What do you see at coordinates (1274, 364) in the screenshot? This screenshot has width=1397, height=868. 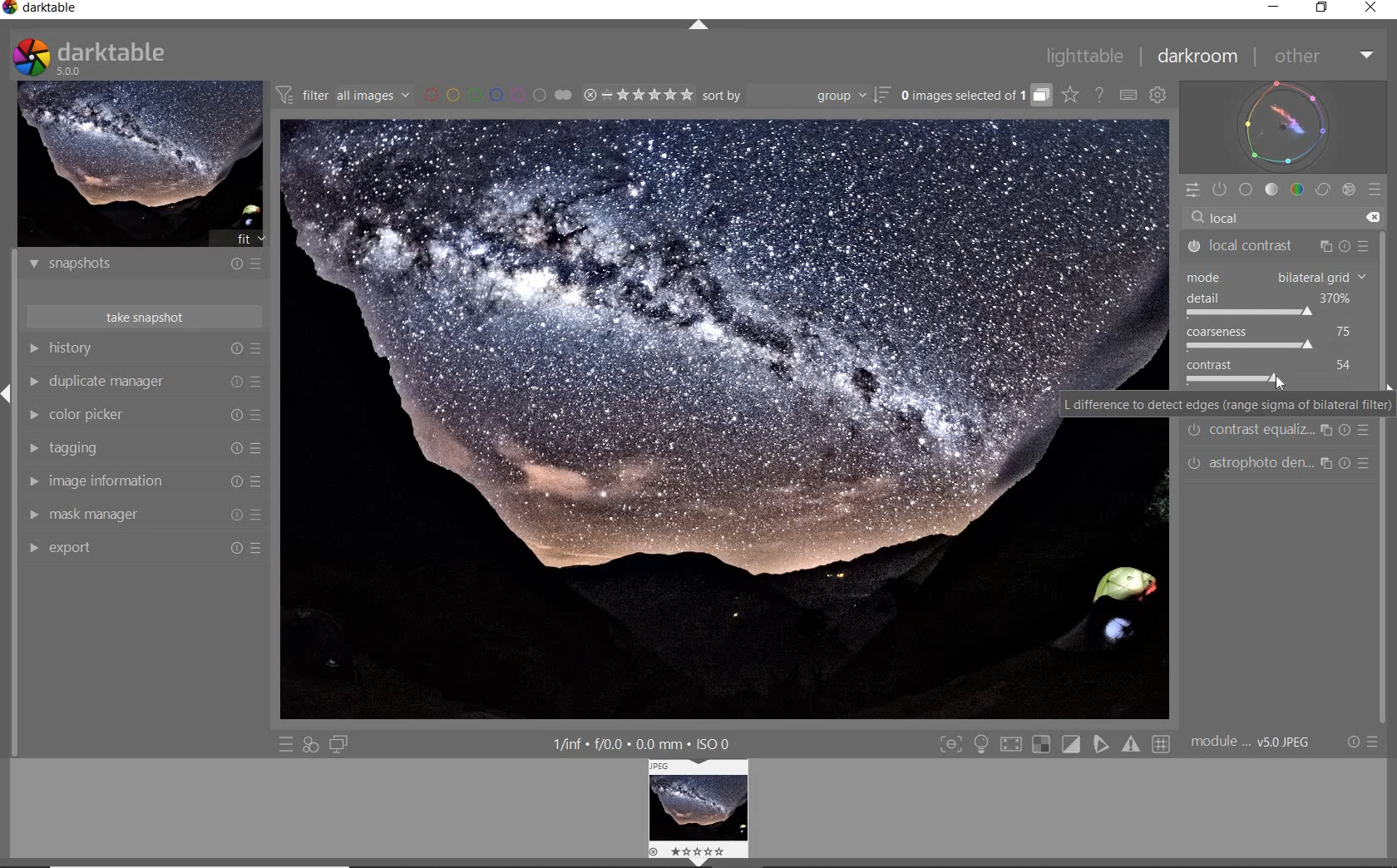 I see `contrast: 20` at bounding box center [1274, 364].